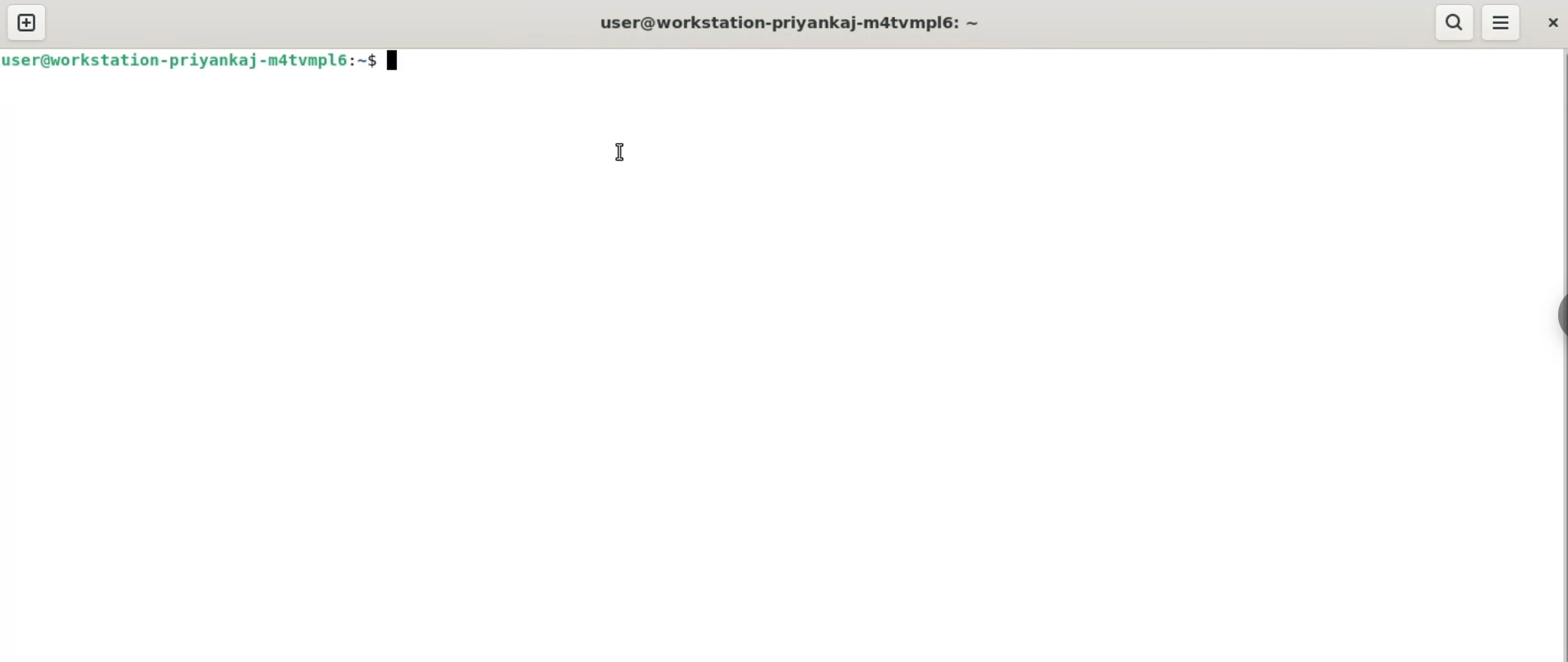  What do you see at coordinates (1456, 23) in the screenshot?
I see `search` at bounding box center [1456, 23].